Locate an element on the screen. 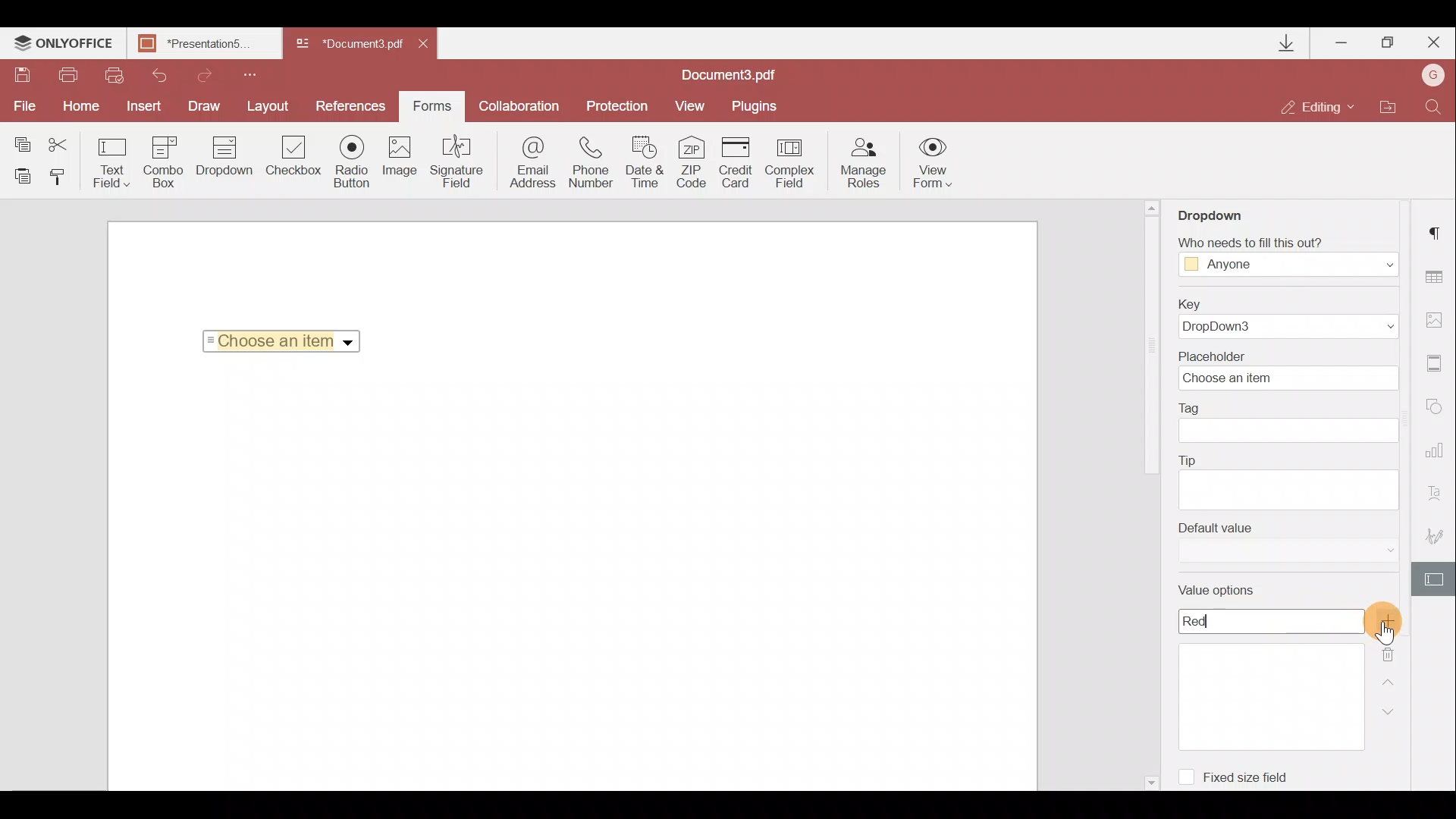 This screenshot has height=819, width=1456. Editing mode is located at coordinates (1319, 108).